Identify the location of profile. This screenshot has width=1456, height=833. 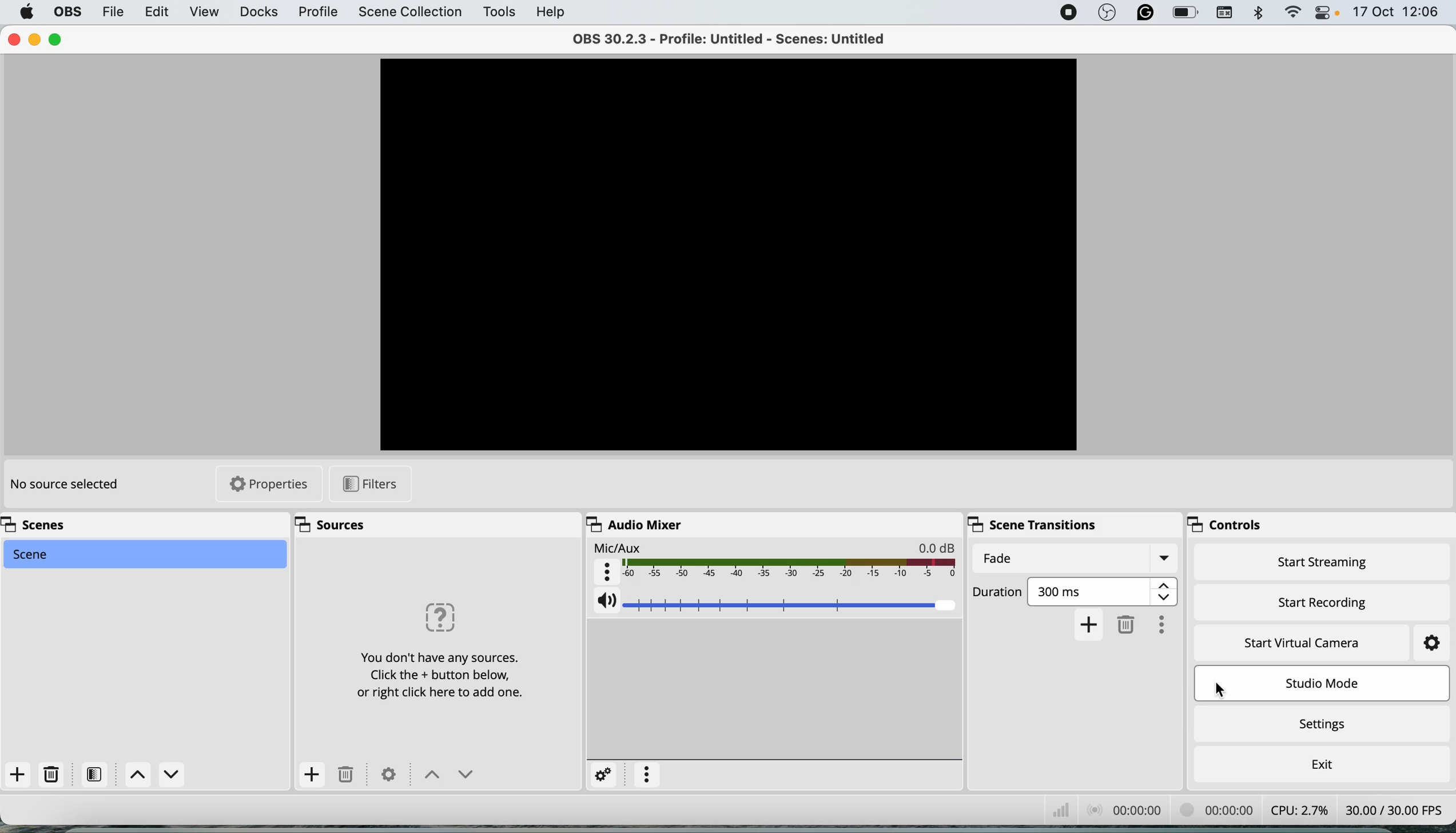
(321, 14).